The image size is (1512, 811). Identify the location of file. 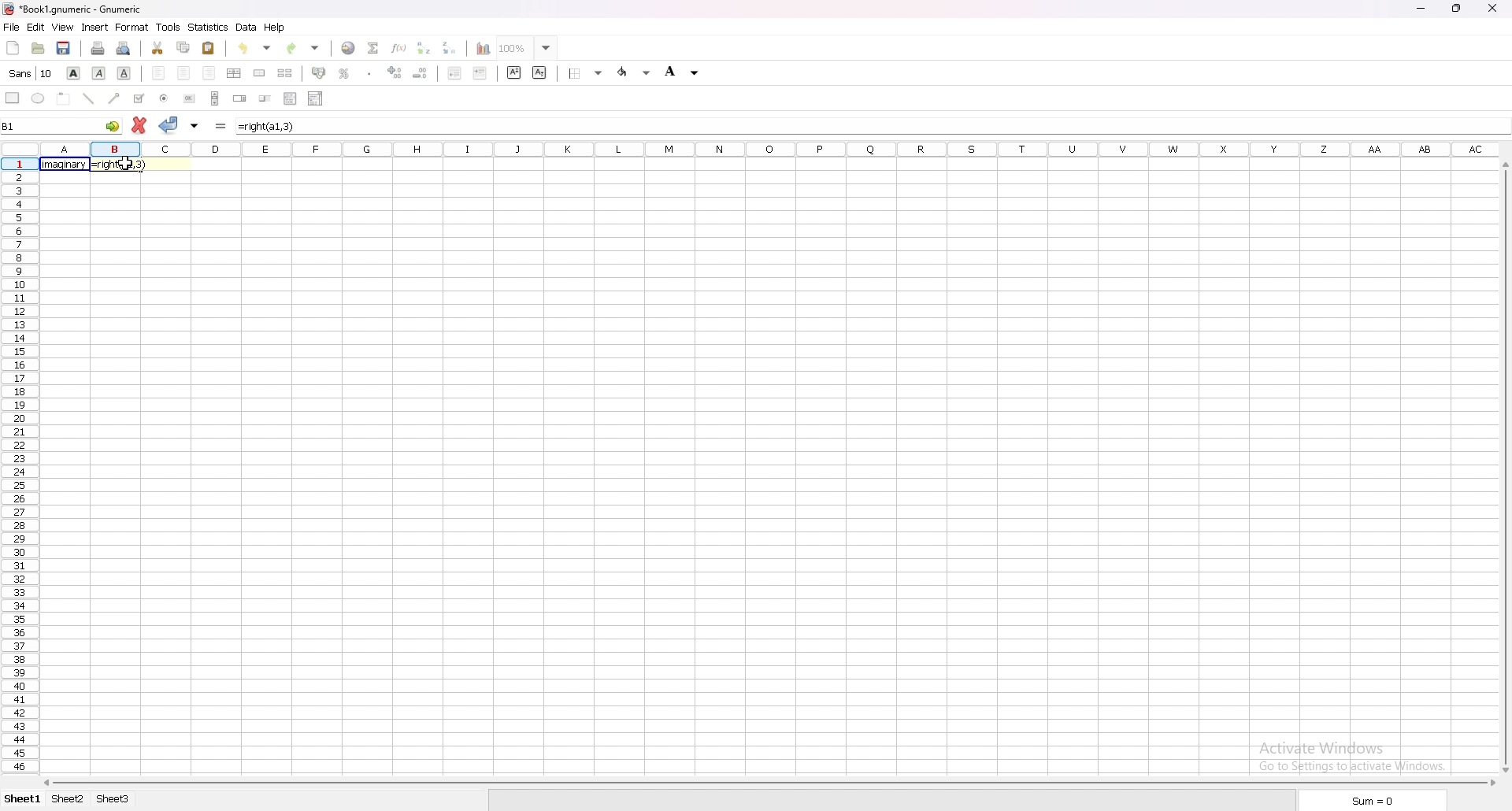
(12, 27).